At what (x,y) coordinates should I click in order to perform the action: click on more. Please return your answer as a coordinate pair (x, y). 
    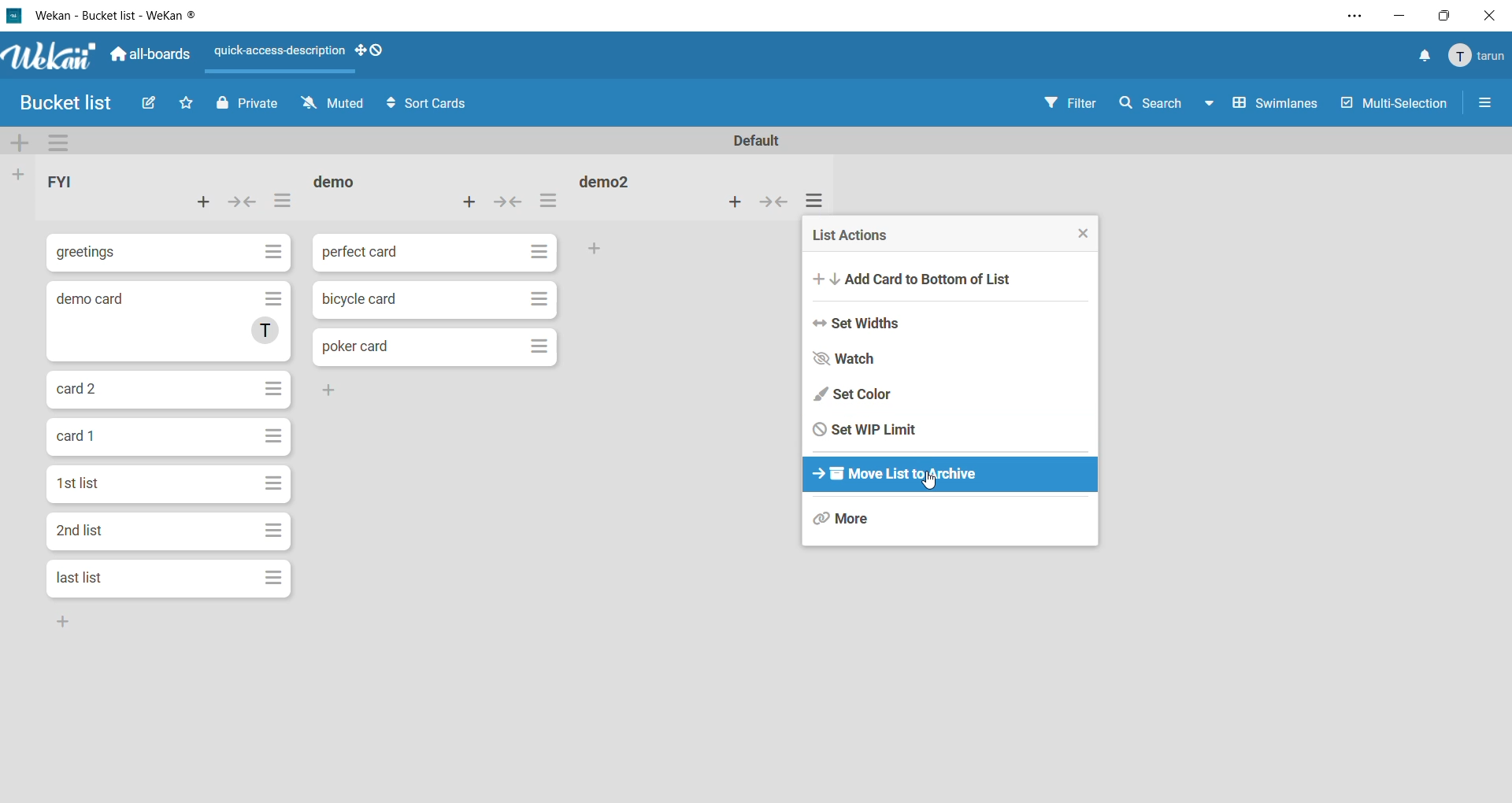
    Looking at the image, I should click on (873, 522).